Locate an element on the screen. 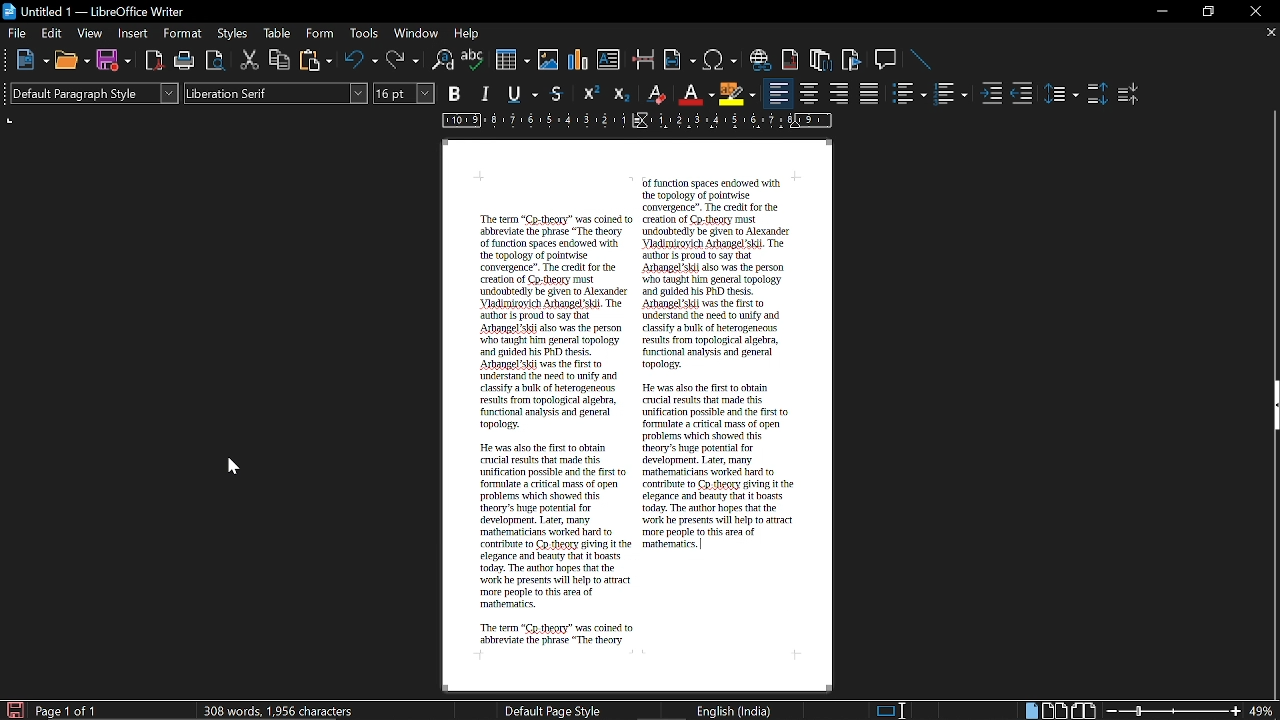  Insert text is located at coordinates (610, 61).